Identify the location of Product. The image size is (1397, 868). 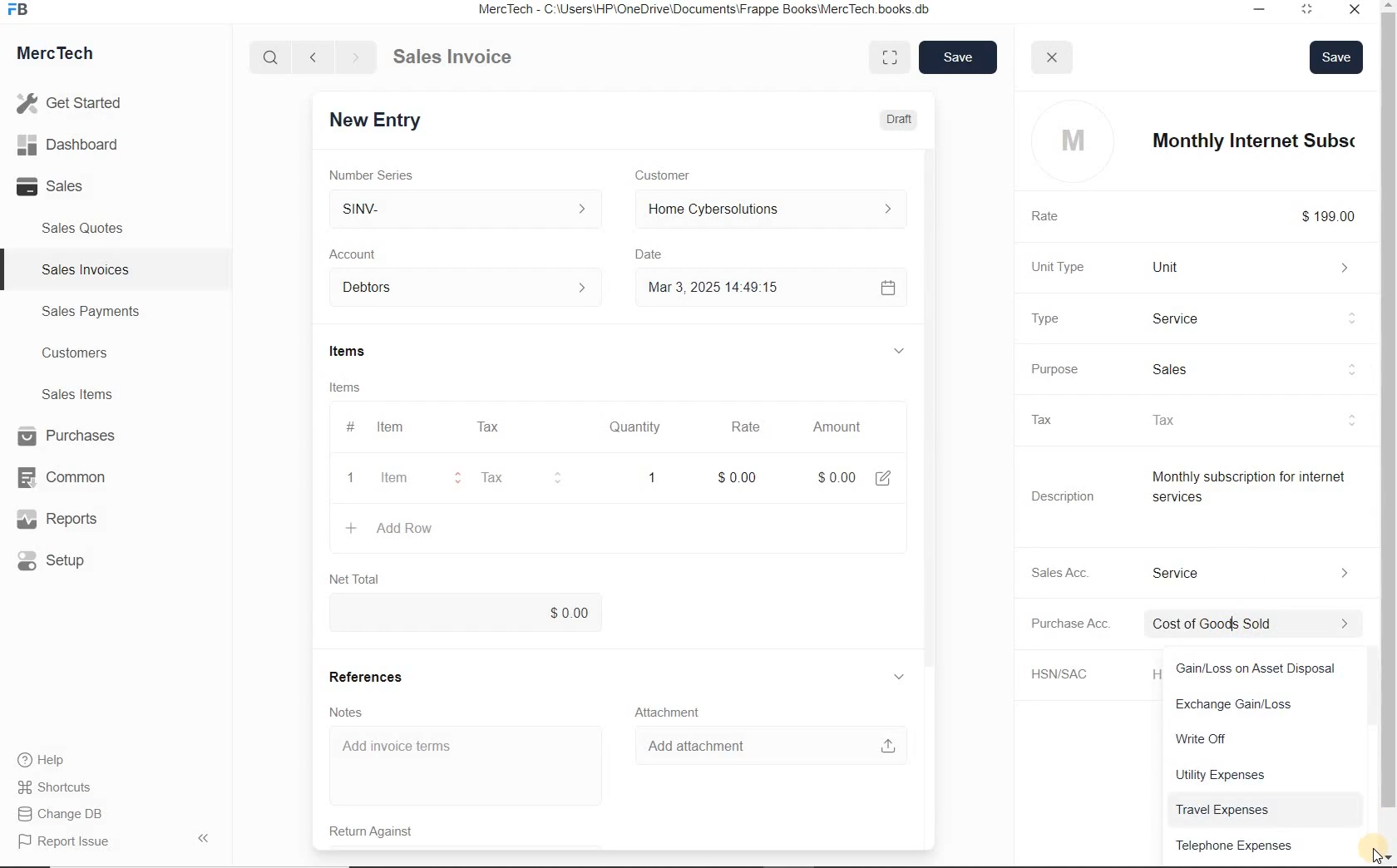
(1261, 318).